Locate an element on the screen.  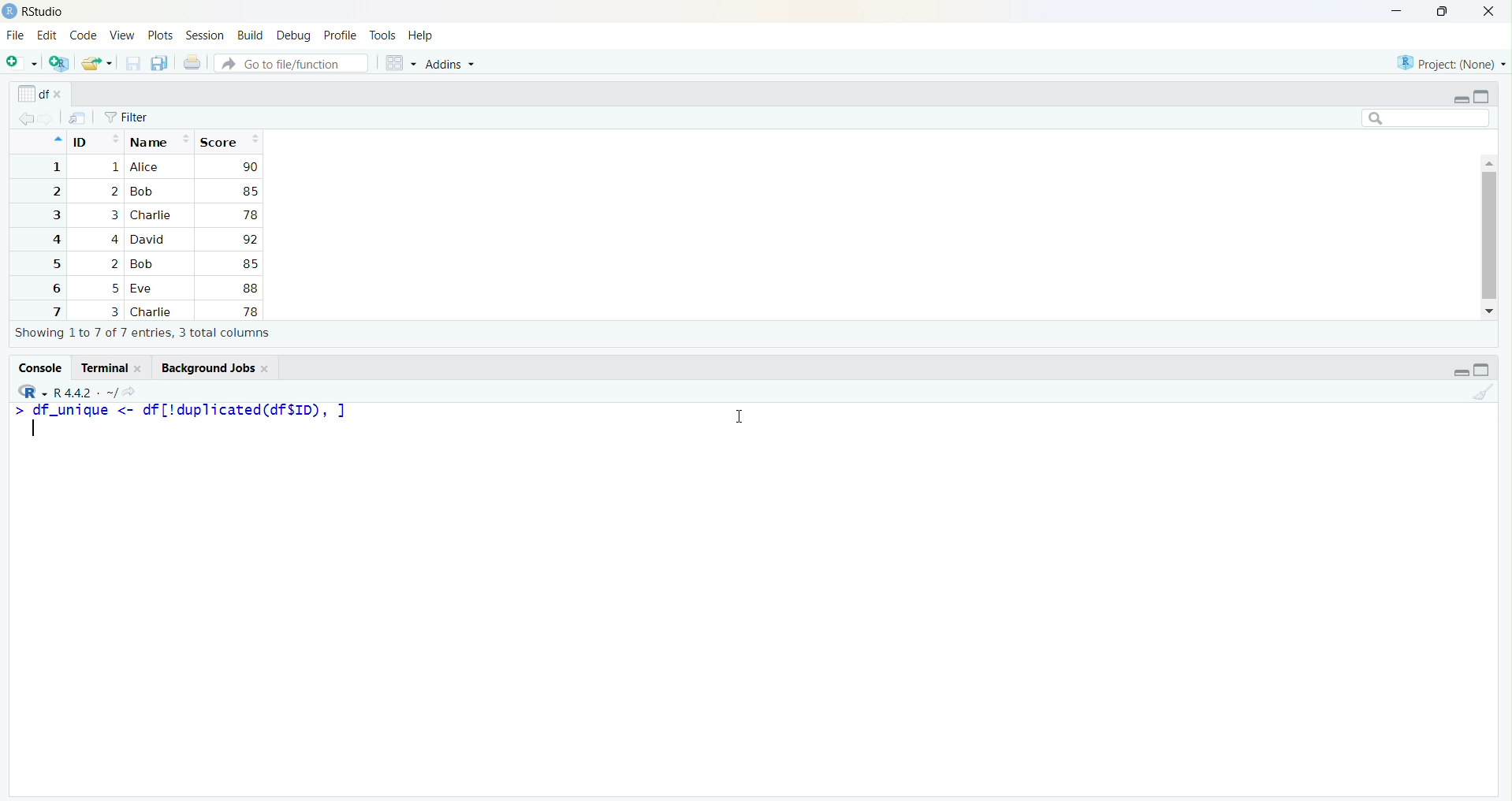
typing cursor is located at coordinates (39, 430).